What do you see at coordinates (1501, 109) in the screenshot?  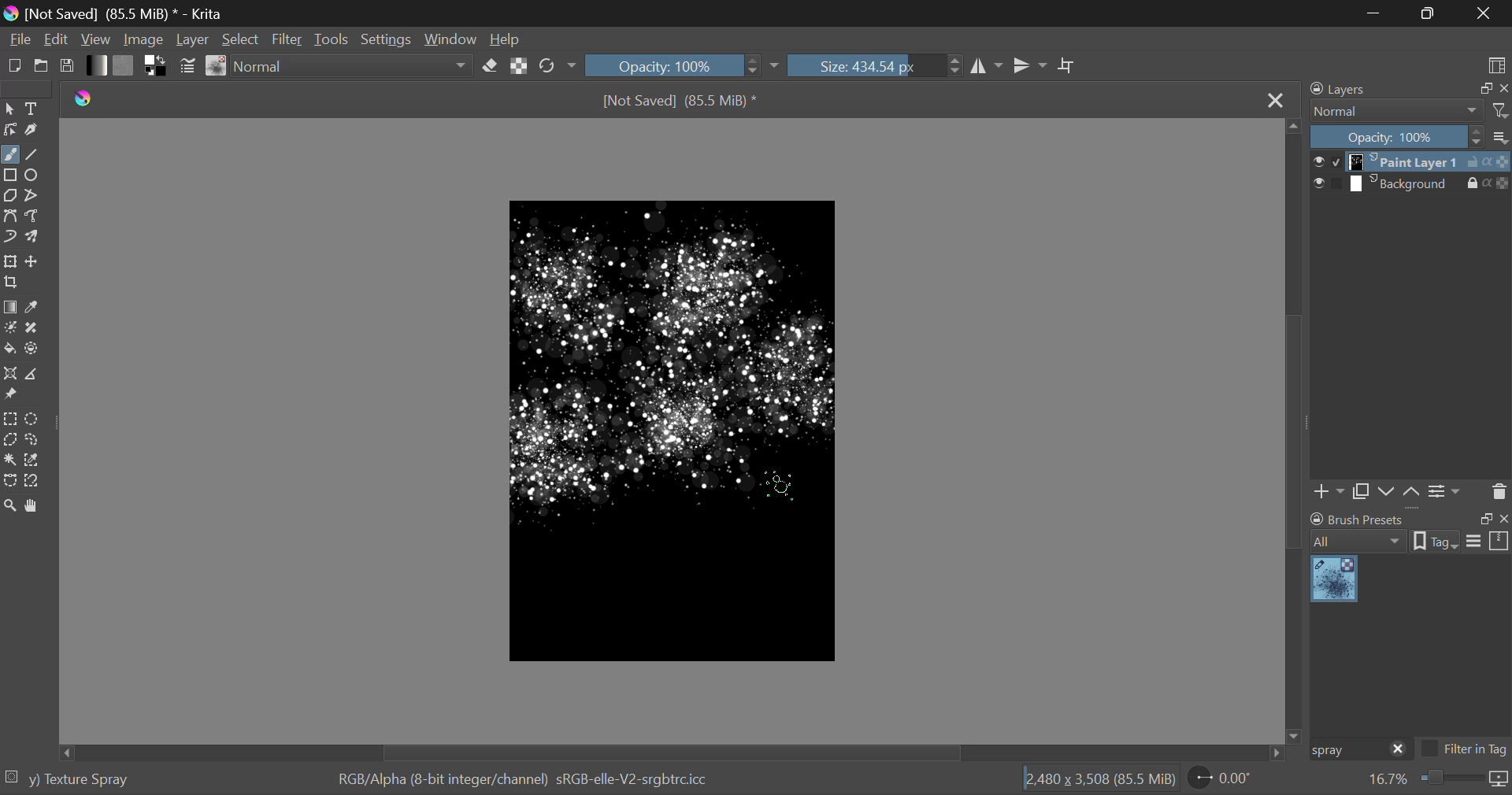 I see `filters icon` at bounding box center [1501, 109].